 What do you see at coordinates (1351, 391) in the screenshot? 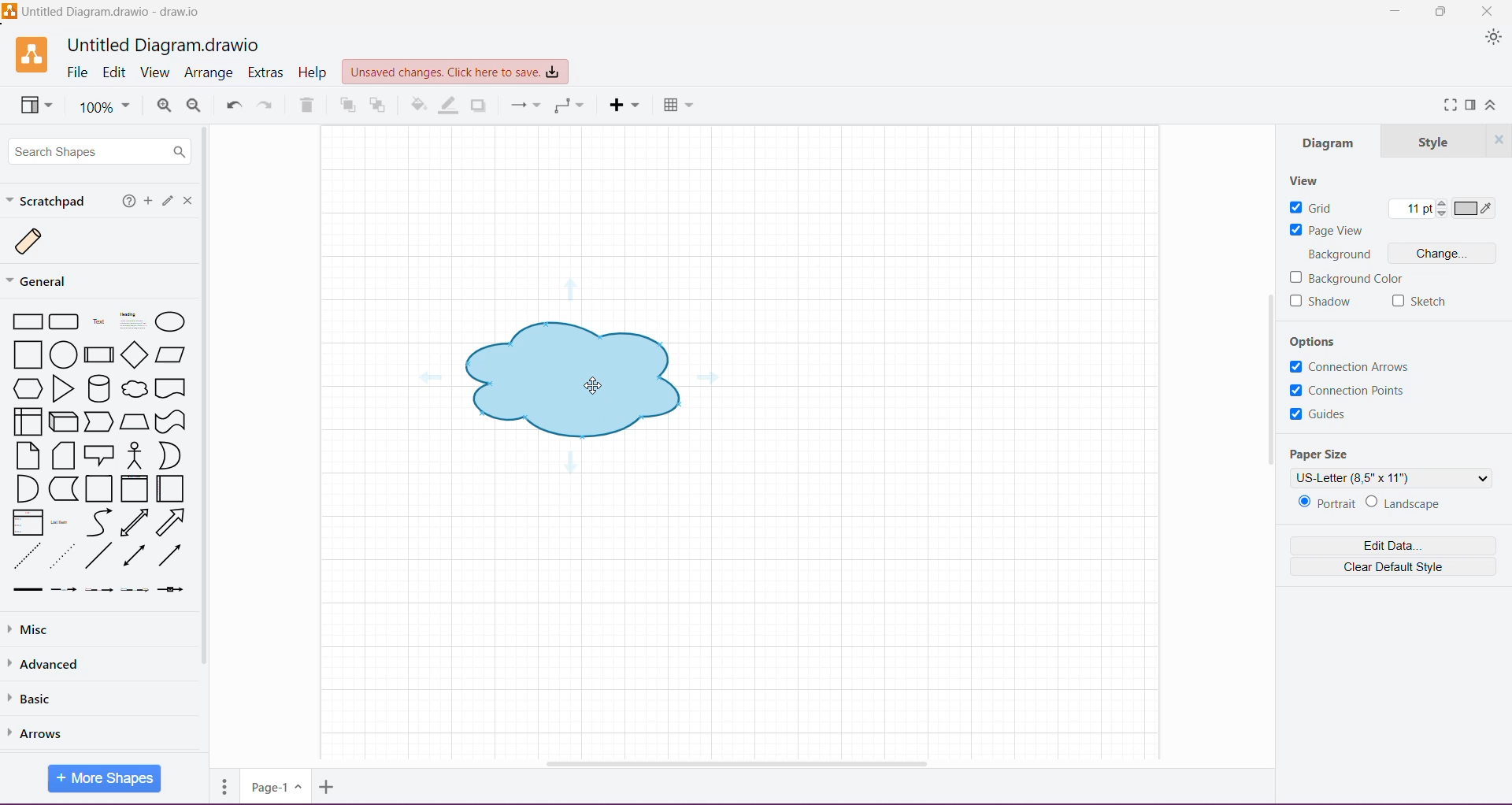
I see `Connection Points` at bounding box center [1351, 391].